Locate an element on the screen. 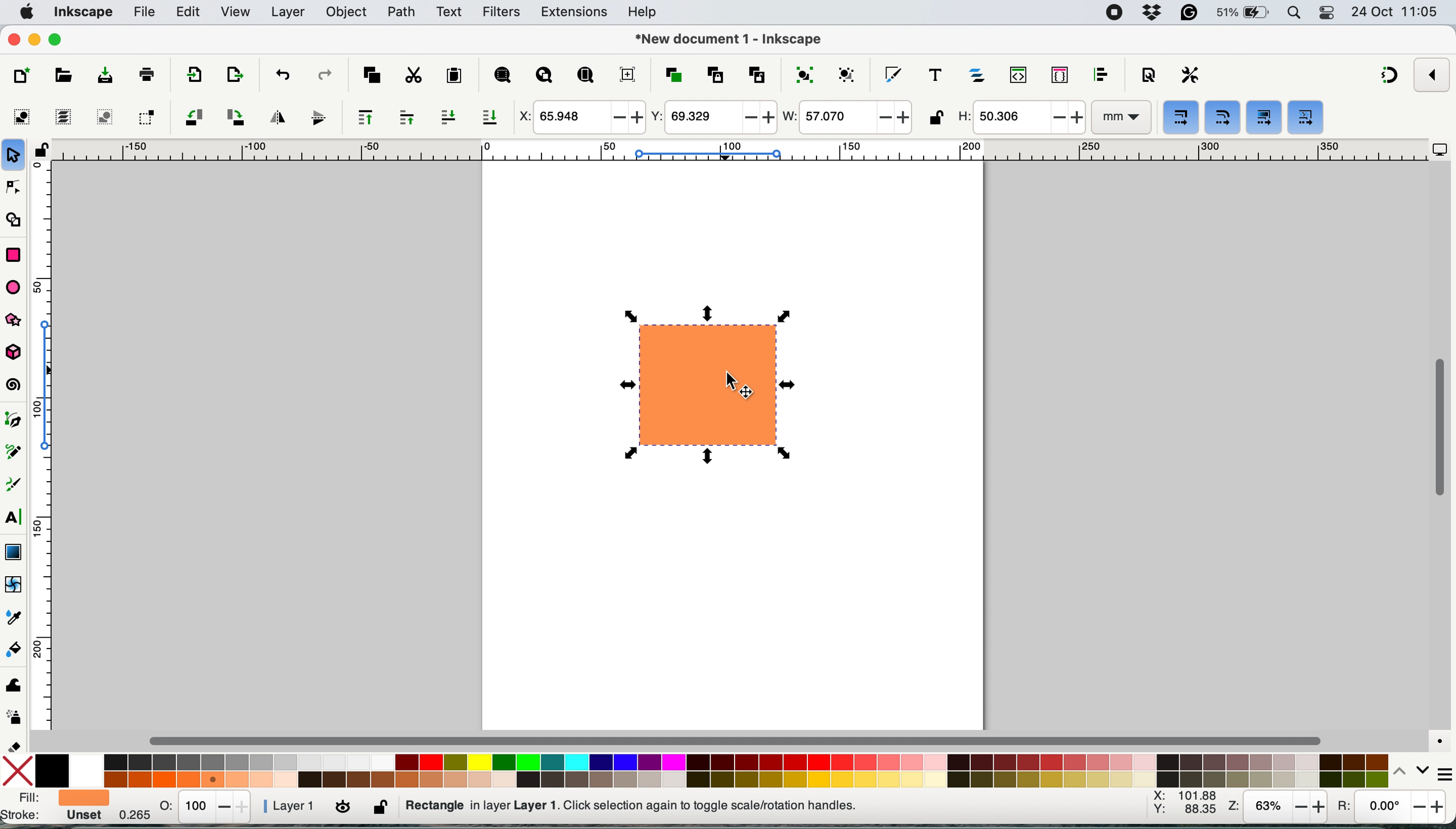 The width and height of the screenshot is (1456, 829). lock is located at coordinates (41, 154).